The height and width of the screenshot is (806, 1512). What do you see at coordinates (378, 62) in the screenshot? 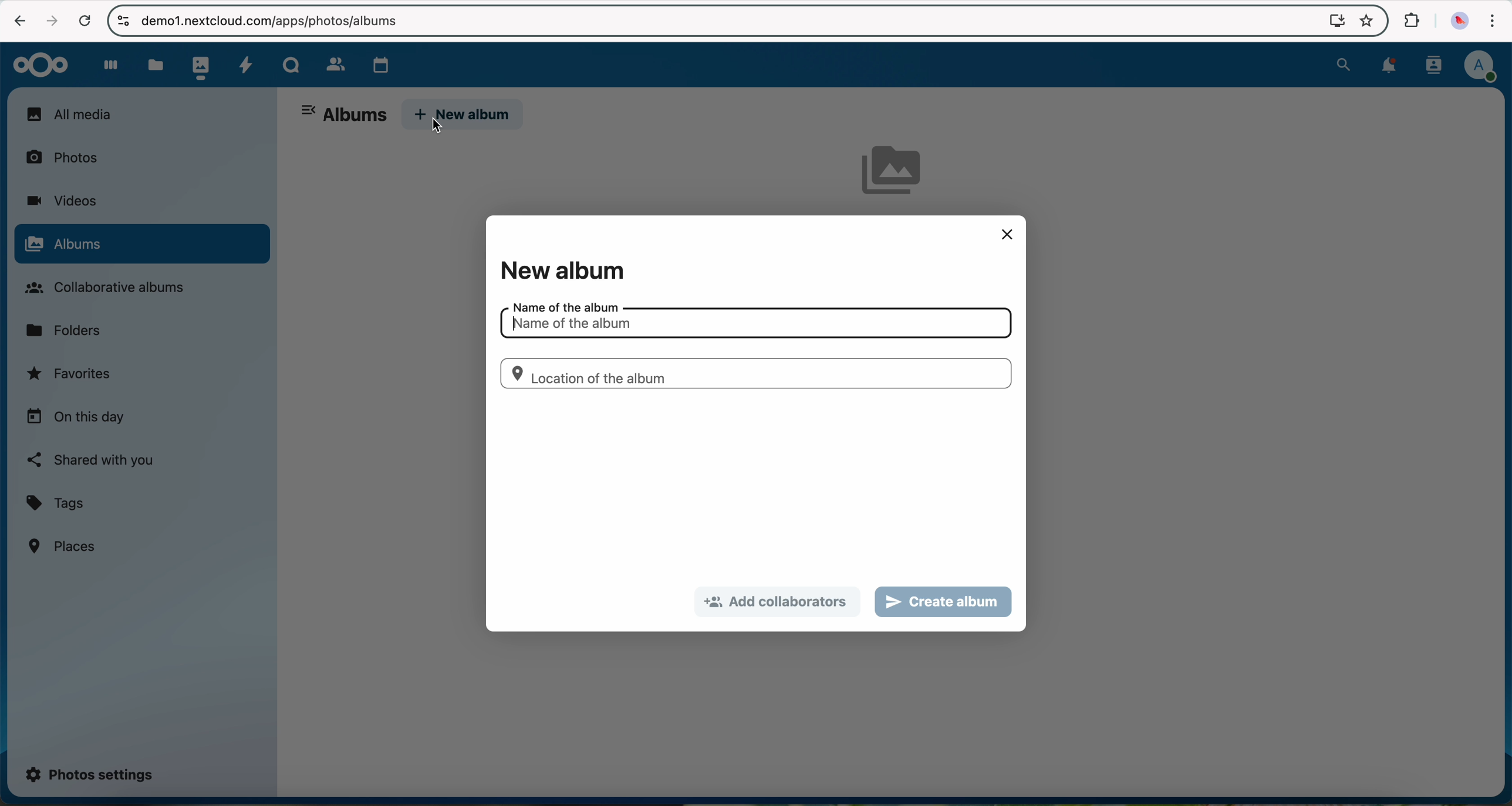
I see `calendar` at bounding box center [378, 62].